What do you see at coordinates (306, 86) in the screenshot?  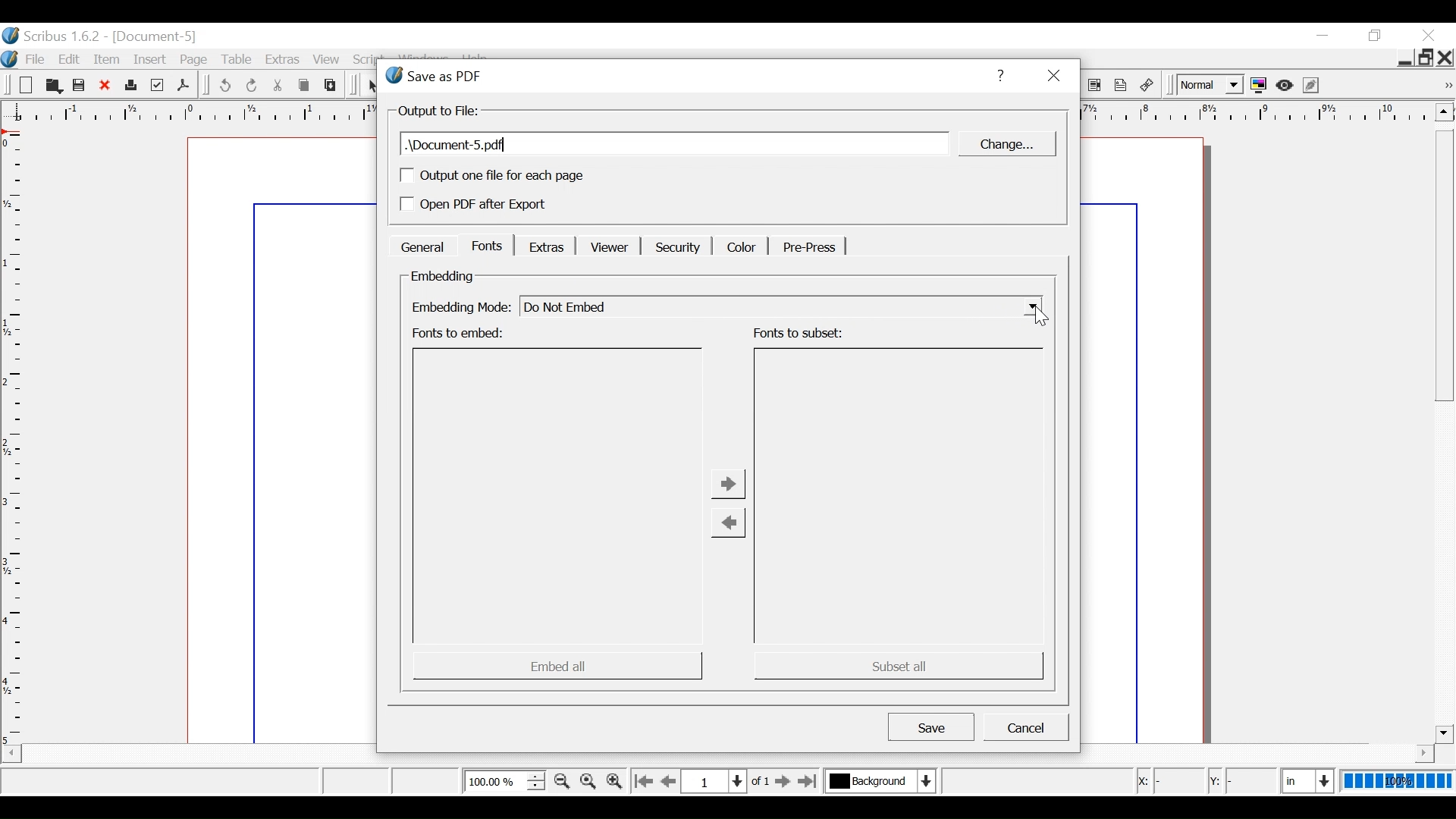 I see `Copy` at bounding box center [306, 86].